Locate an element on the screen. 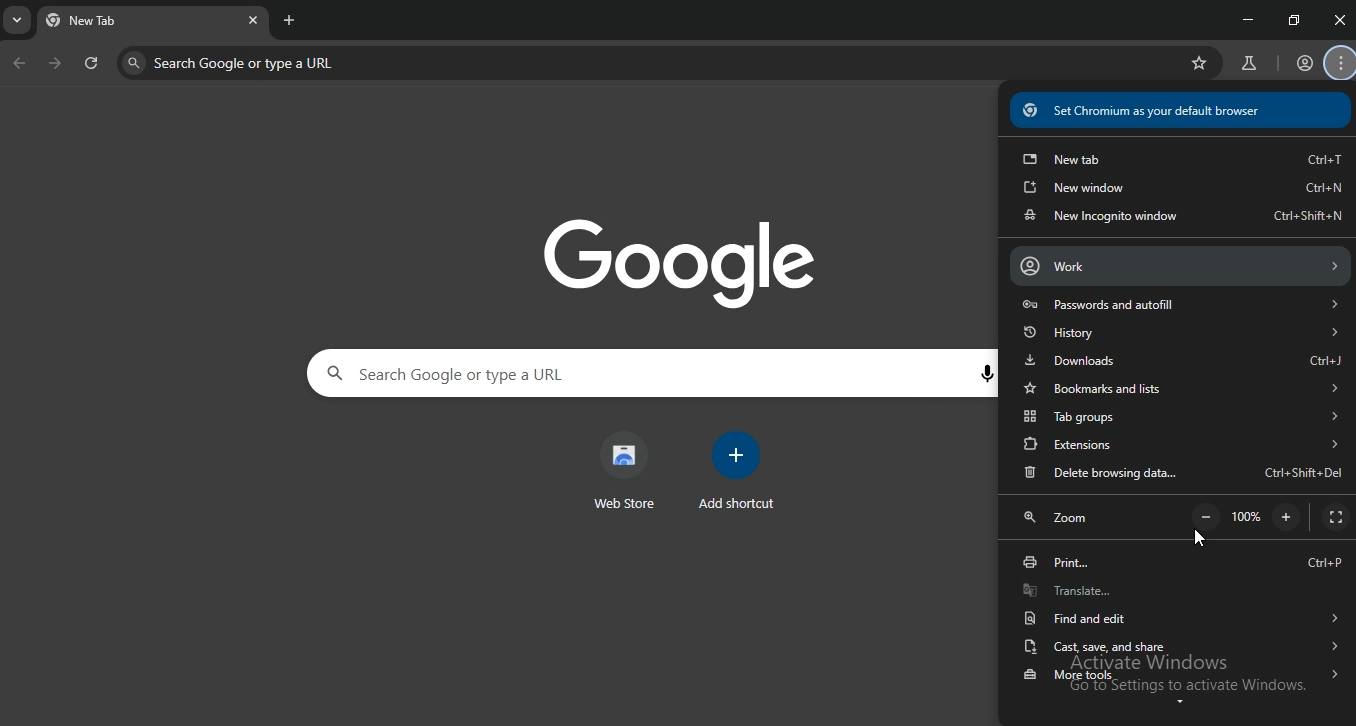 The image size is (1356, 726). web store is located at coordinates (625, 471).